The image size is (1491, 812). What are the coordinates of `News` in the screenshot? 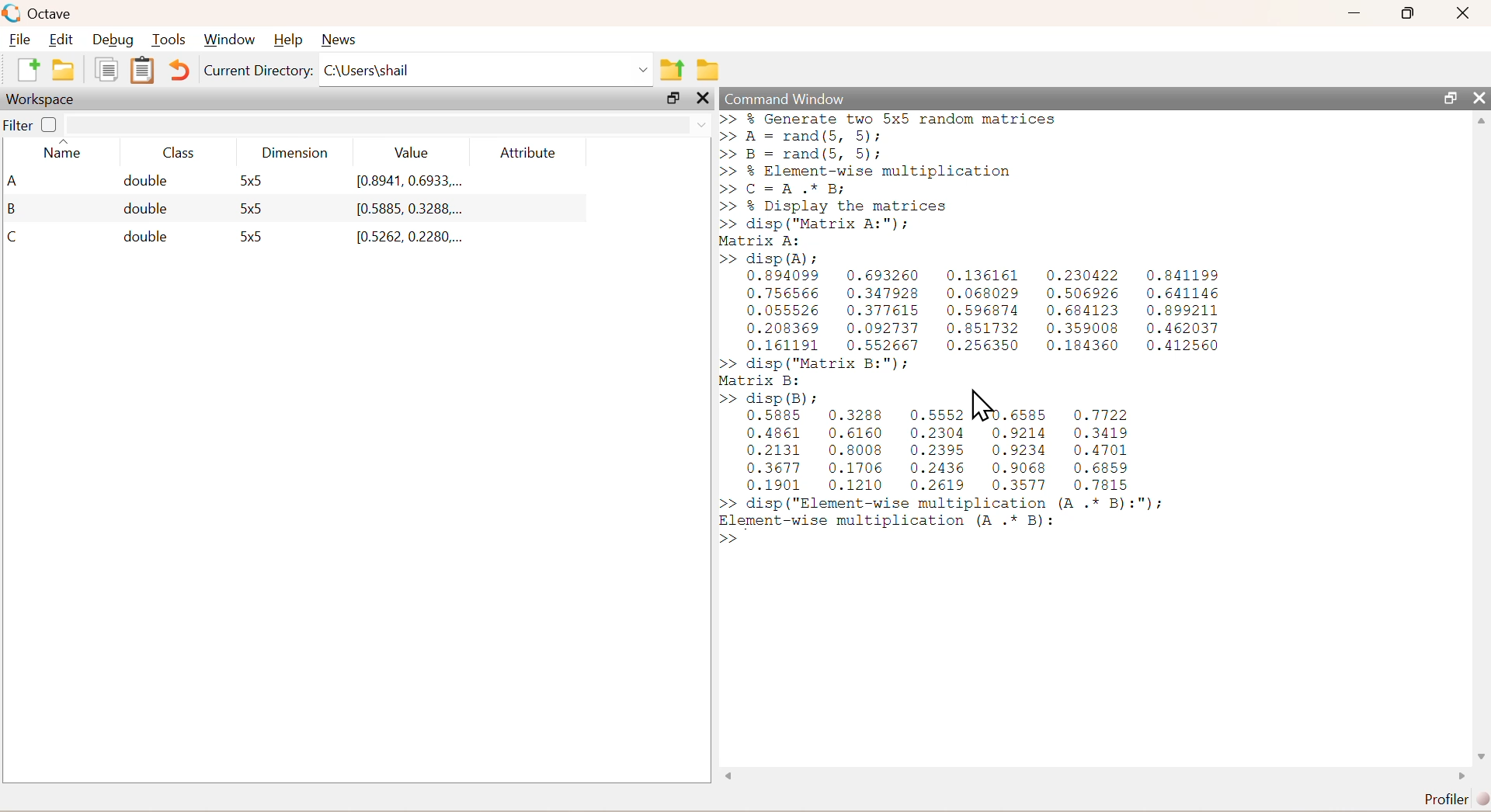 It's located at (342, 38).